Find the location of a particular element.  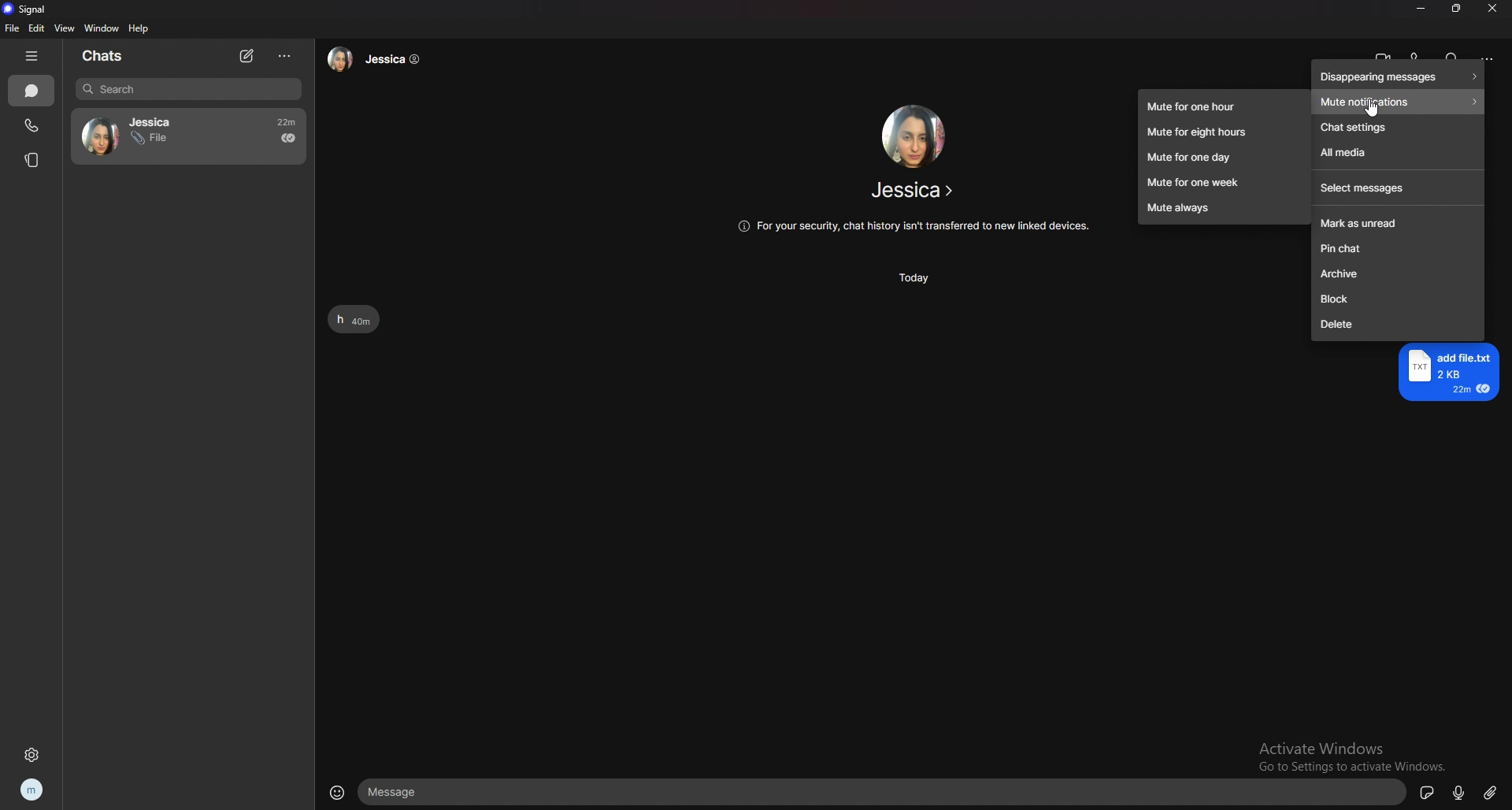

search bar is located at coordinates (188, 89).